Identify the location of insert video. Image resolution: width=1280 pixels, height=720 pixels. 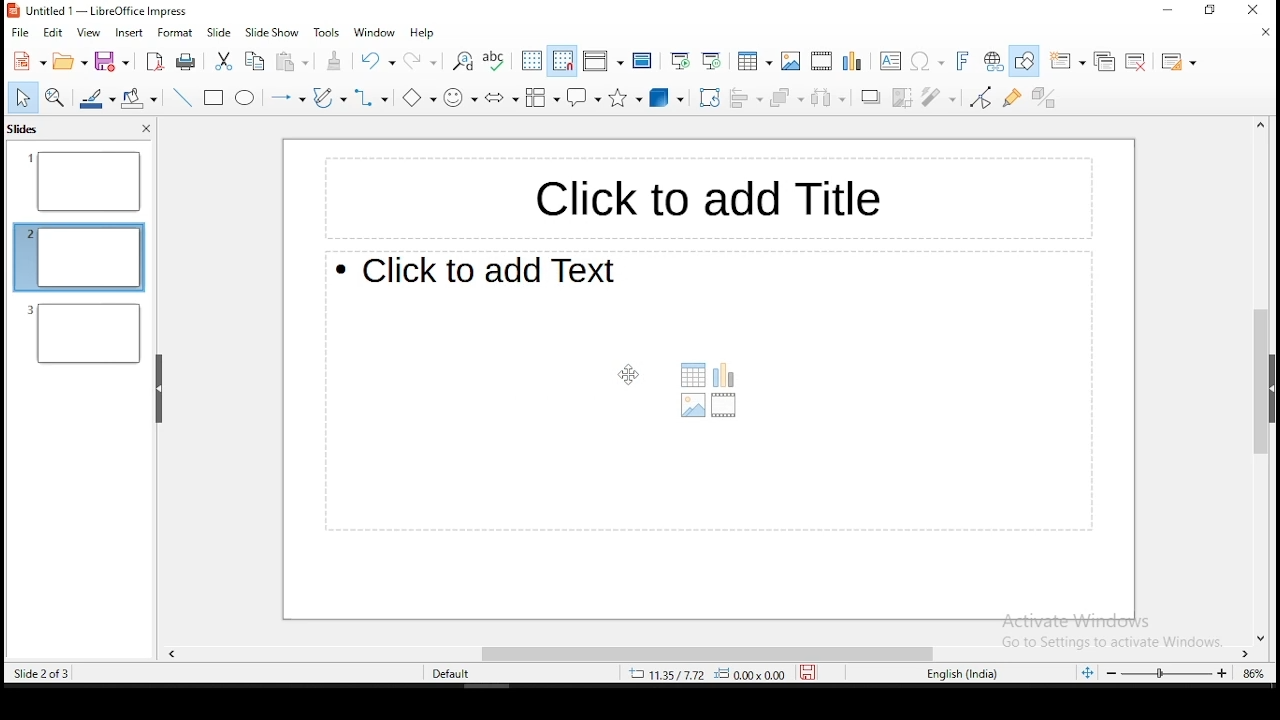
(821, 59).